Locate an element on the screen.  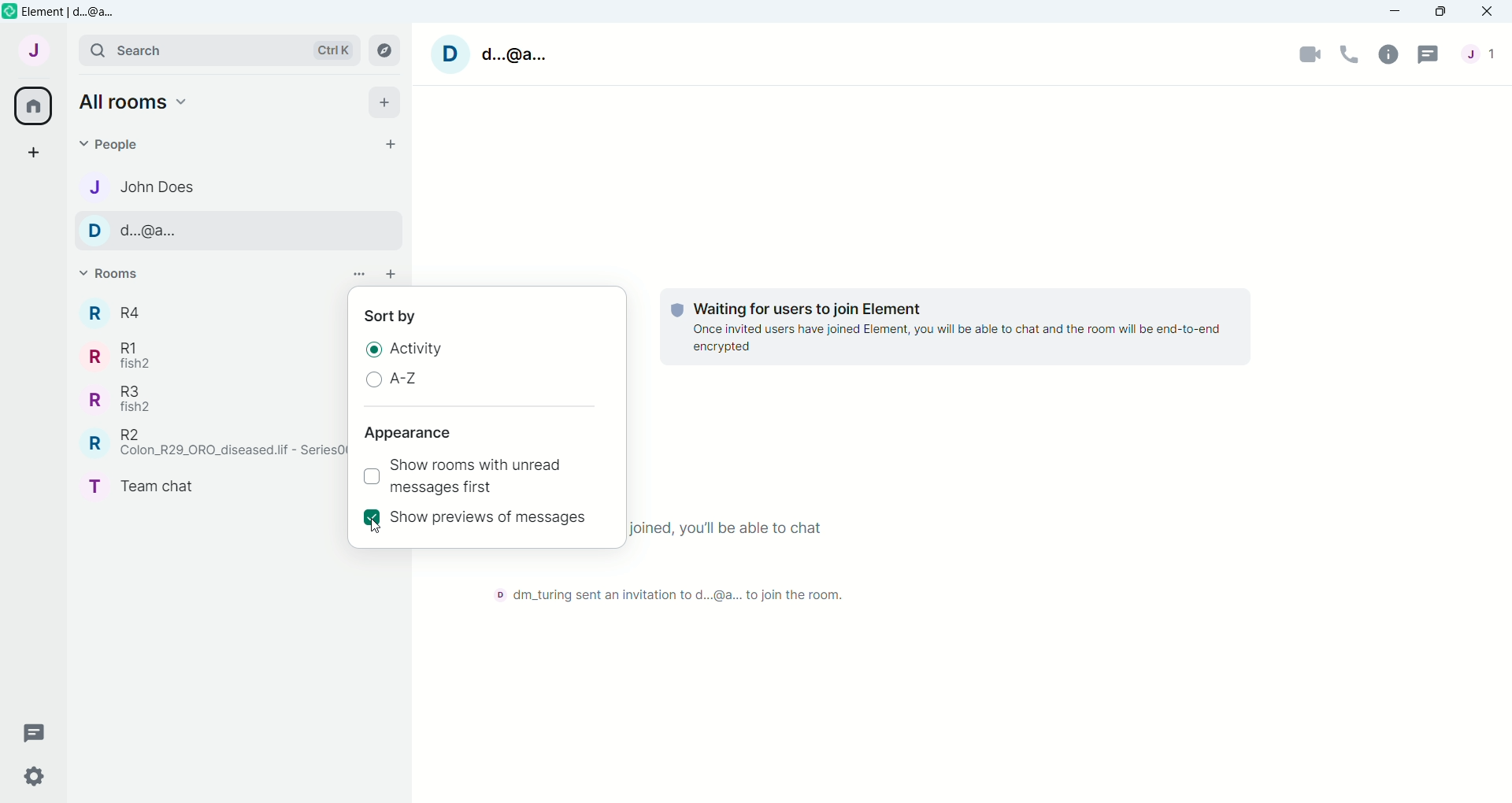
Contact name is located at coordinates (171, 229).